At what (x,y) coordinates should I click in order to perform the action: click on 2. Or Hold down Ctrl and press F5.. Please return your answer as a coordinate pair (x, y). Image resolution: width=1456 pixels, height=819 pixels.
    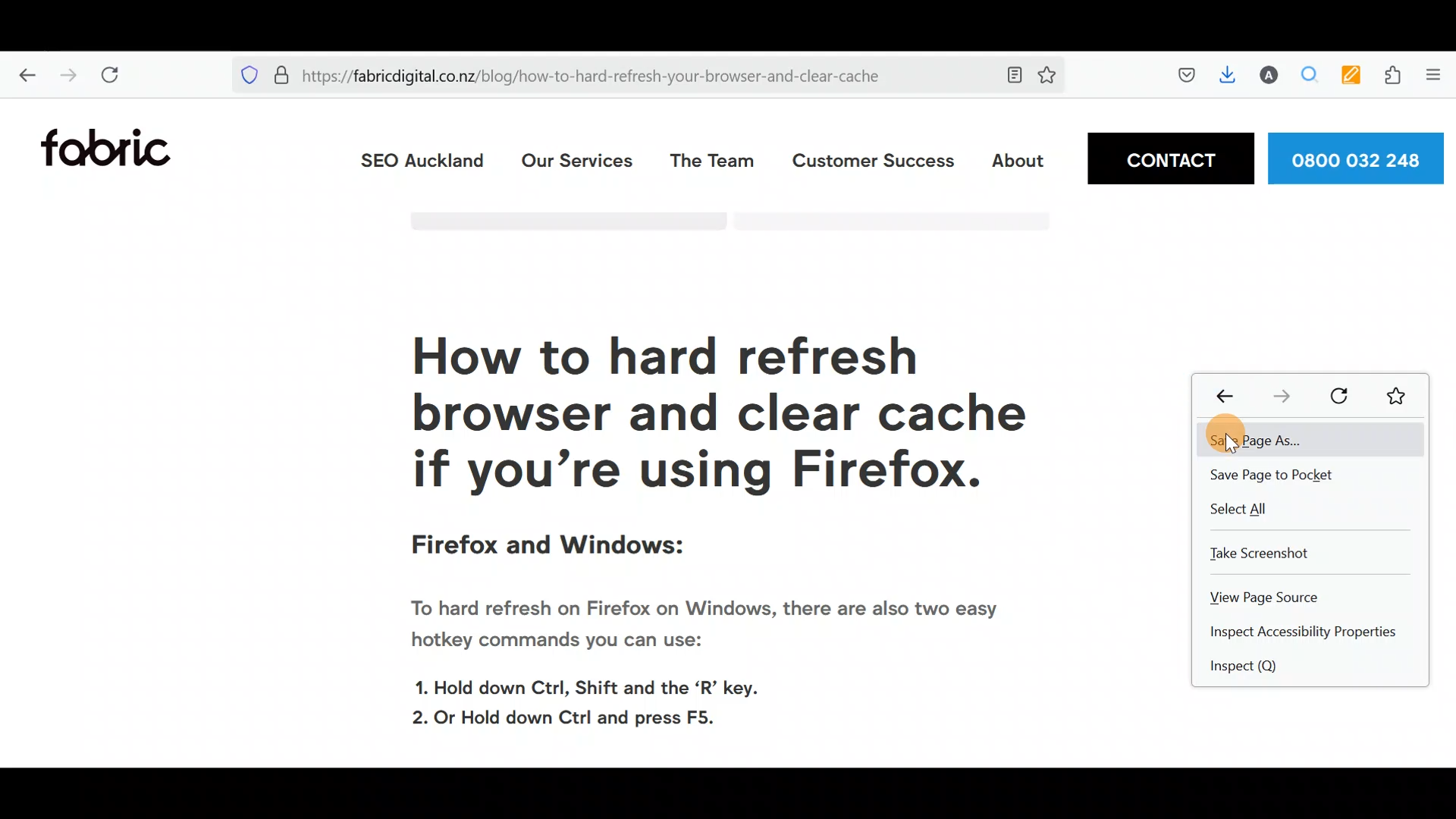
    Looking at the image, I should click on (573, 717).